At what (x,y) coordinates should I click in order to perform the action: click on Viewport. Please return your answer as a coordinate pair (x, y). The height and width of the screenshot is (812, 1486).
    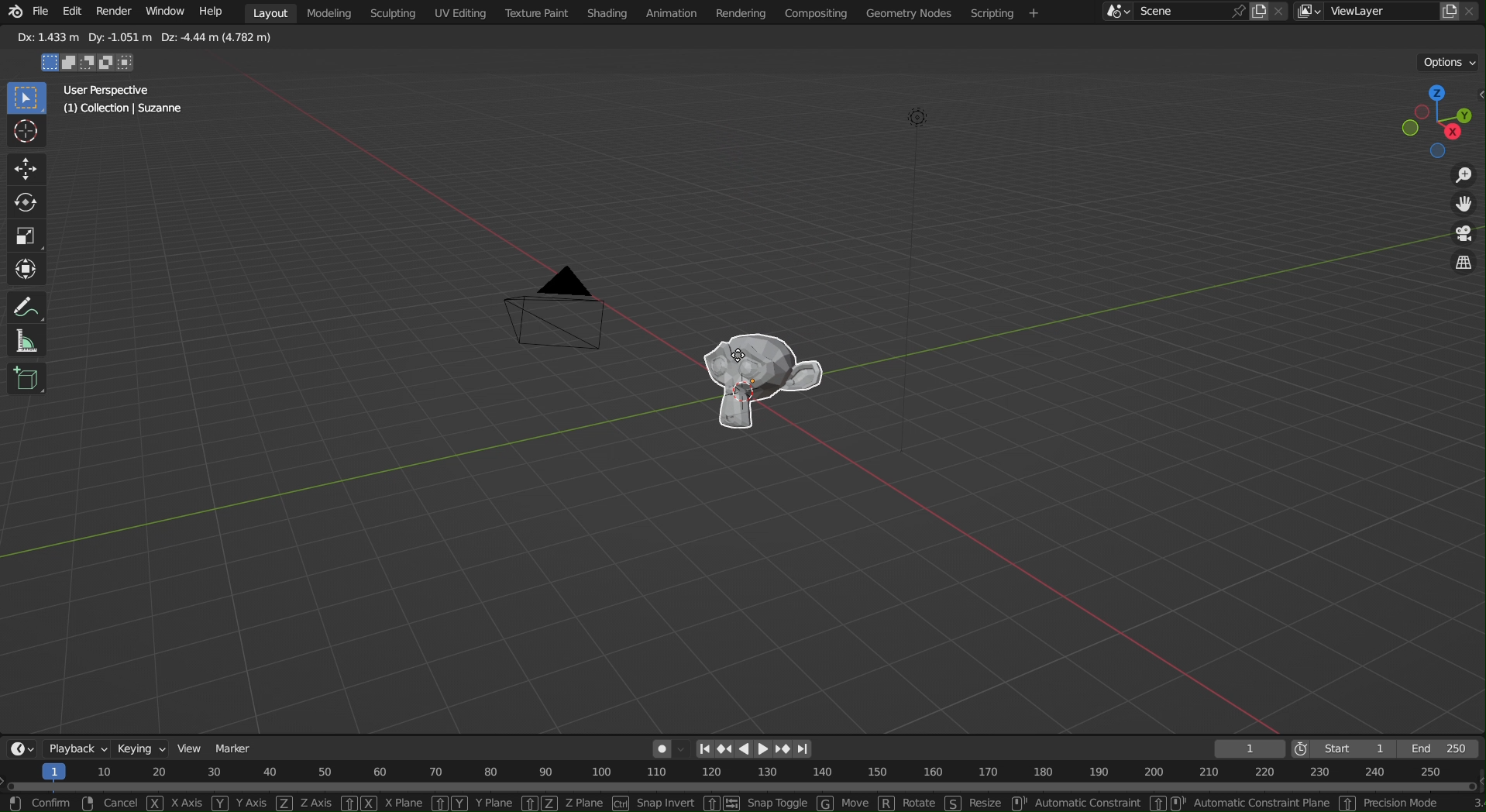
    Looking at the image, I should click on (1440, 121).